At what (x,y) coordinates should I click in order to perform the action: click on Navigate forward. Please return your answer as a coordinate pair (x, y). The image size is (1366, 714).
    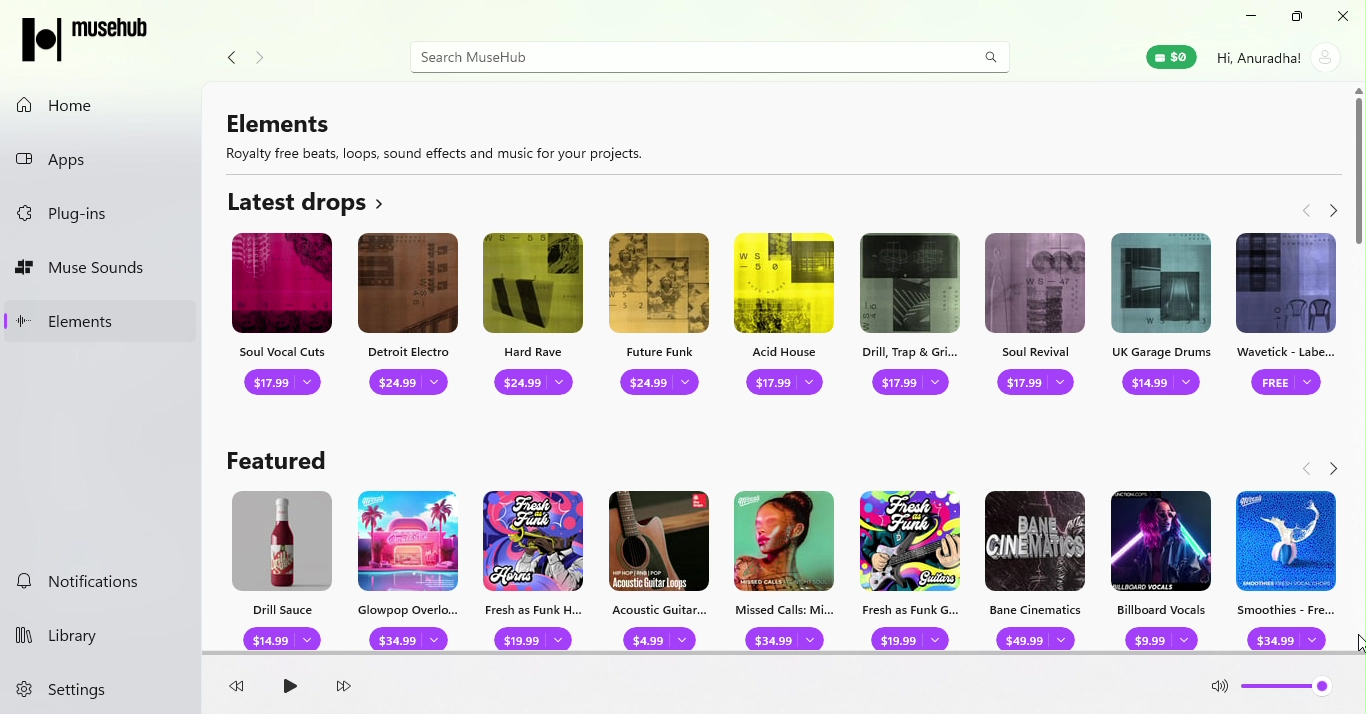
    Looking at the image, I should click on (1332, 208).